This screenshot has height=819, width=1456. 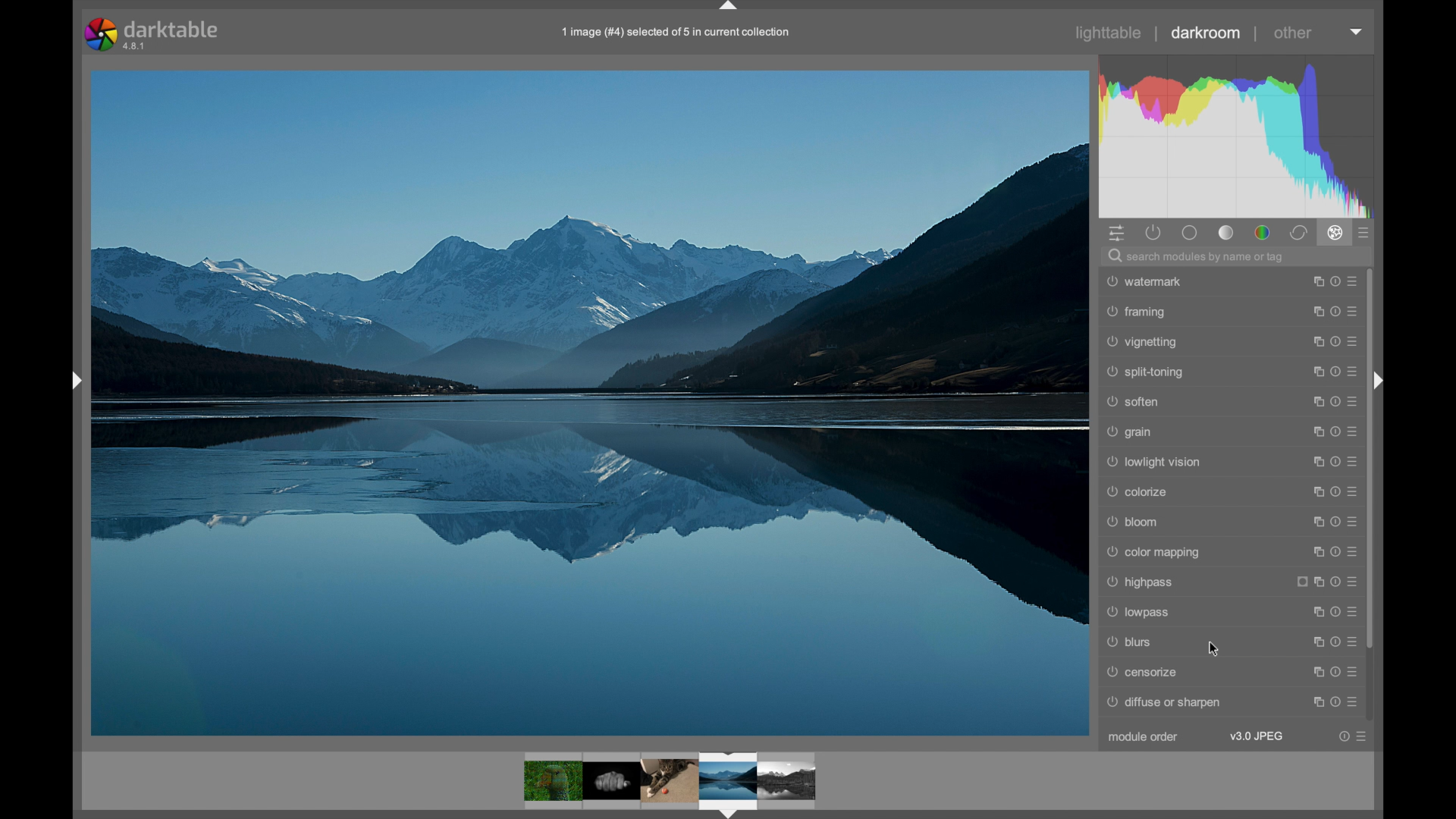 What do you see at coordinates (151, 33) in the screenshot?
I see `darktable` at bounding box center [151, 33].